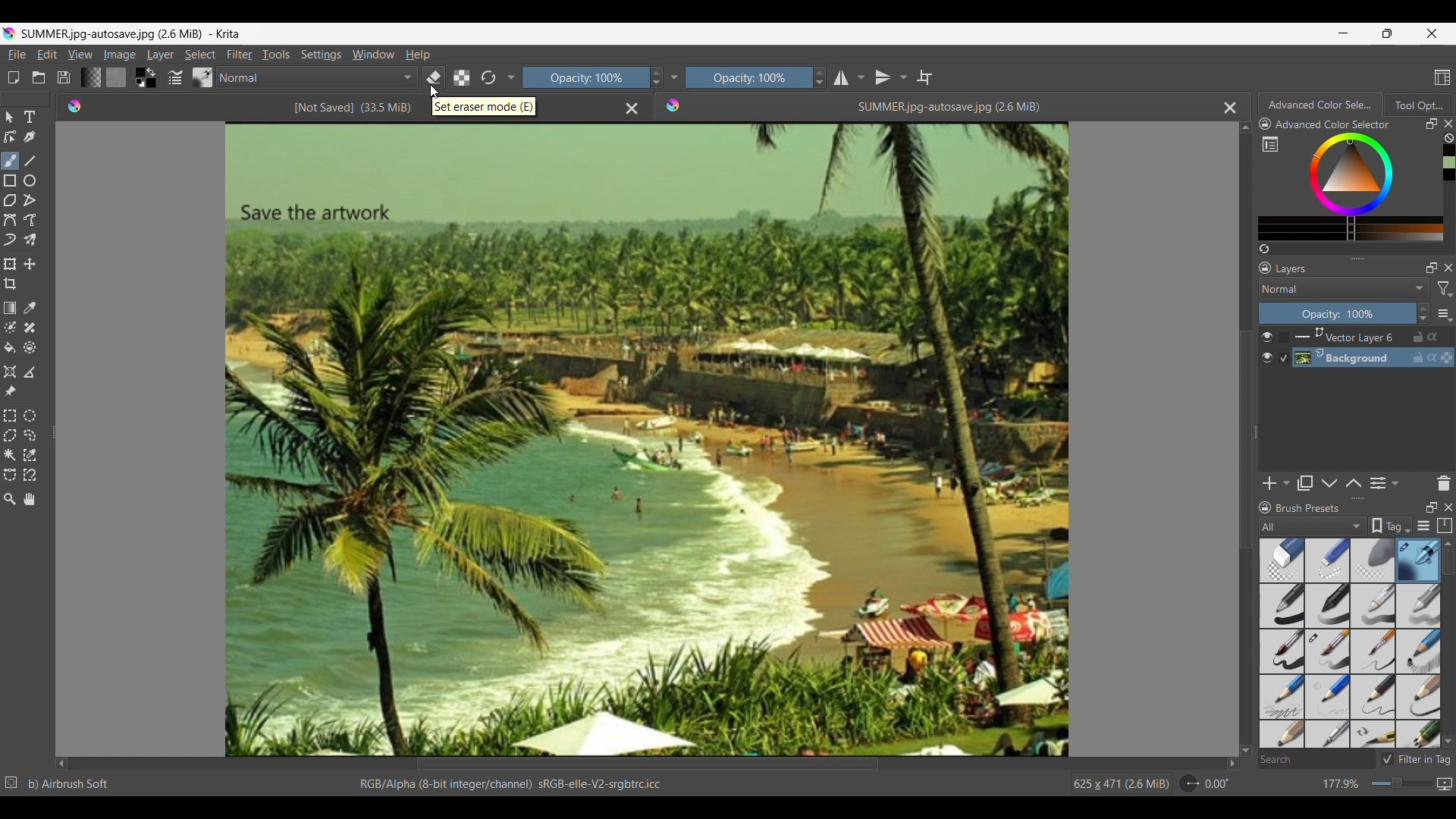 This screenshot has width=1456, height=819. Describe the element at coordinates (434, 77) in the screenshot. I see `Set eraser mode` at that location.